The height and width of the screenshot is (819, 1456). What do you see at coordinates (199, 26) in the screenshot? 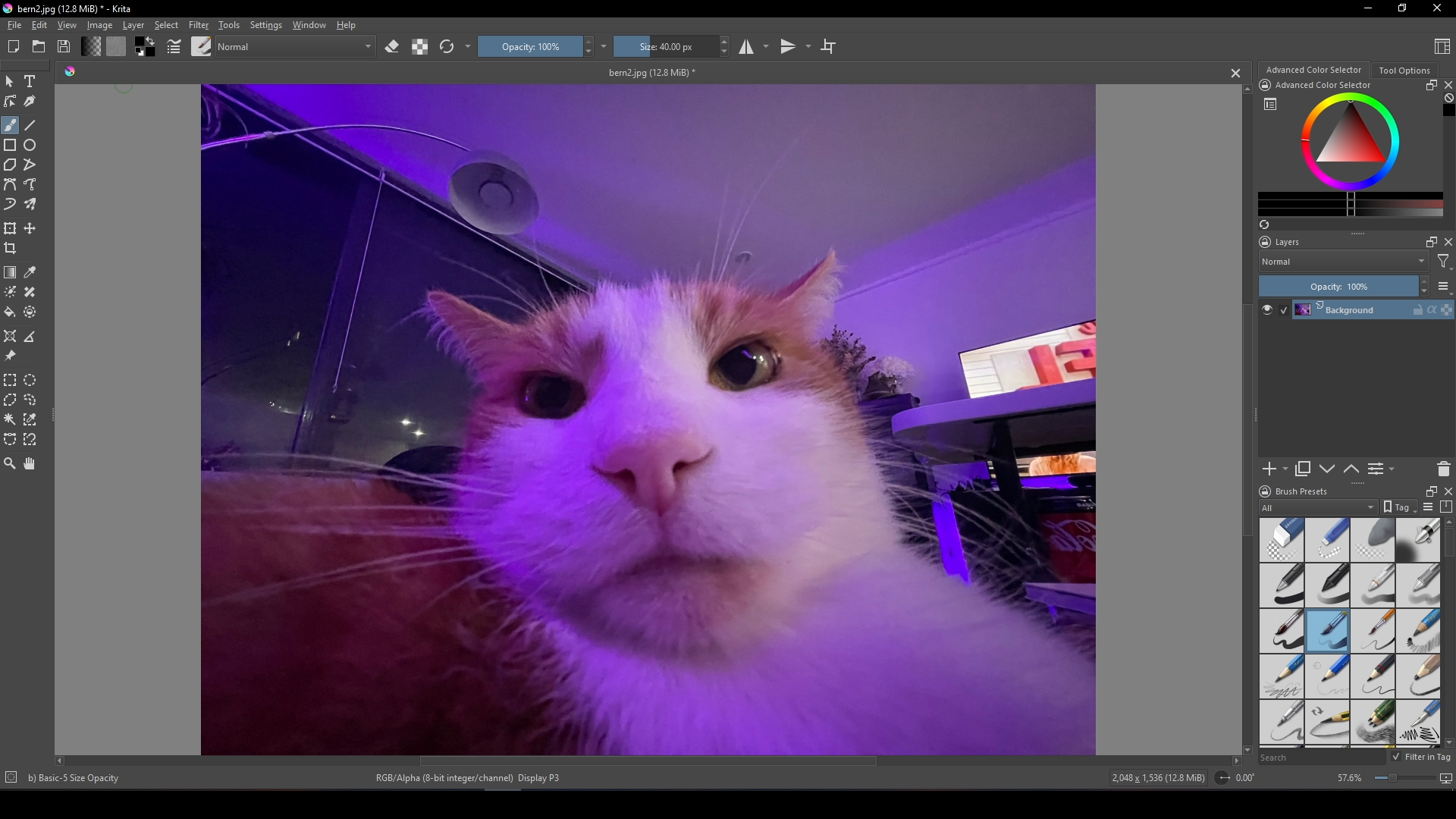
I see `Filter` at bounding box center [199, 26].